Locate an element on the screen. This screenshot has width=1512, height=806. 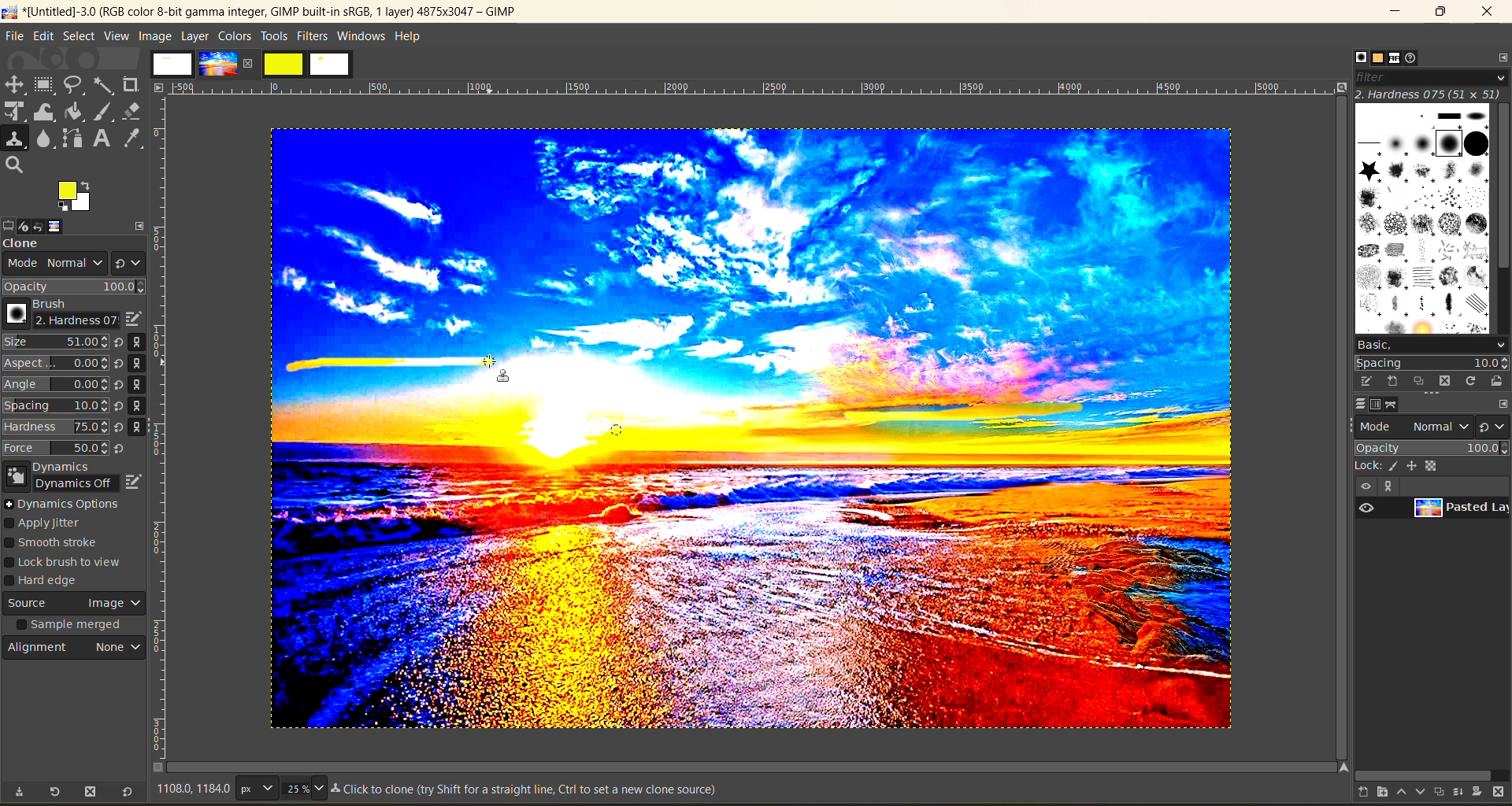
create a layer is located at coordinates (1436, 793).